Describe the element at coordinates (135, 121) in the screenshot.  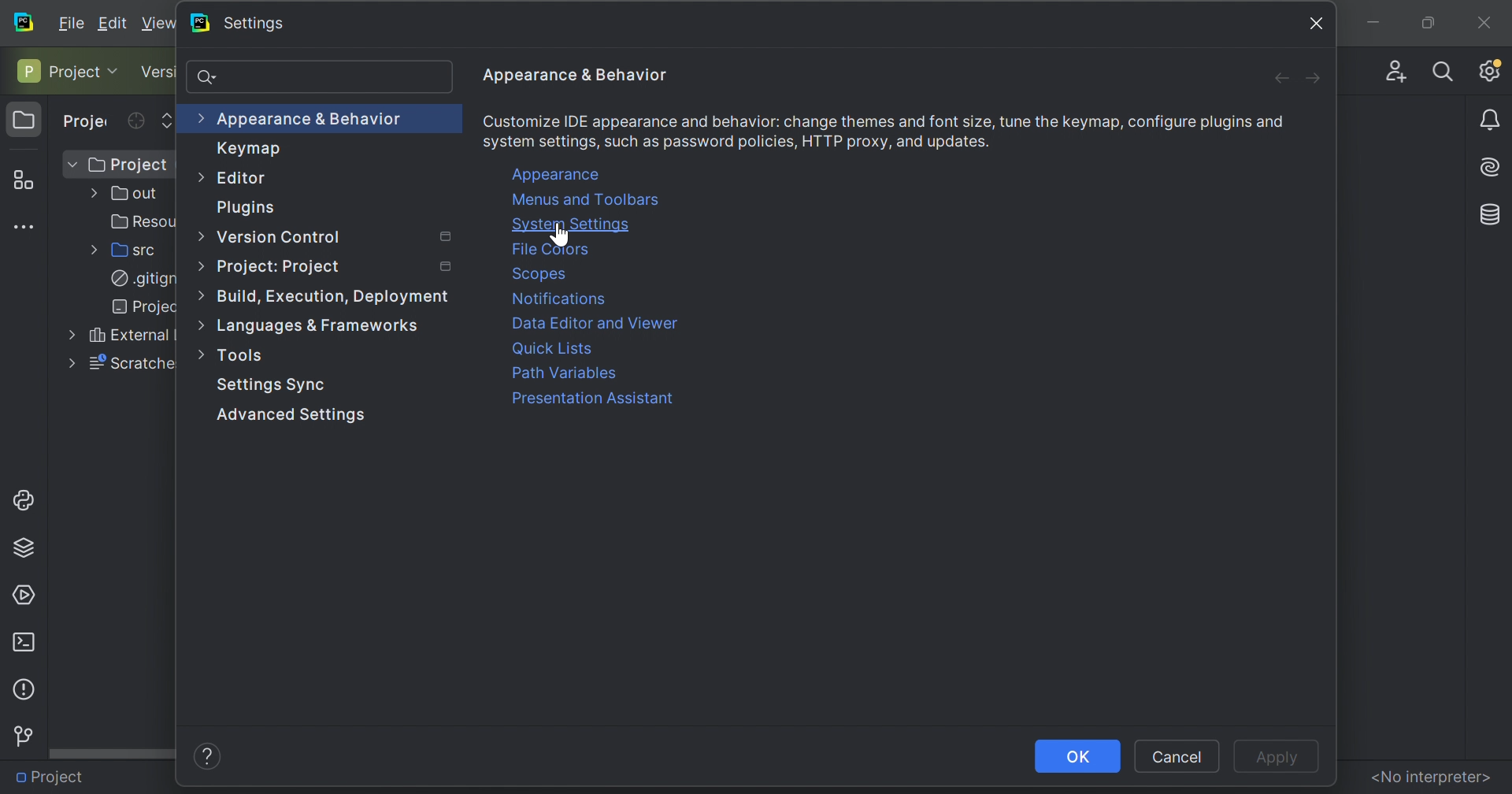
I see `Select opened file` at that location.